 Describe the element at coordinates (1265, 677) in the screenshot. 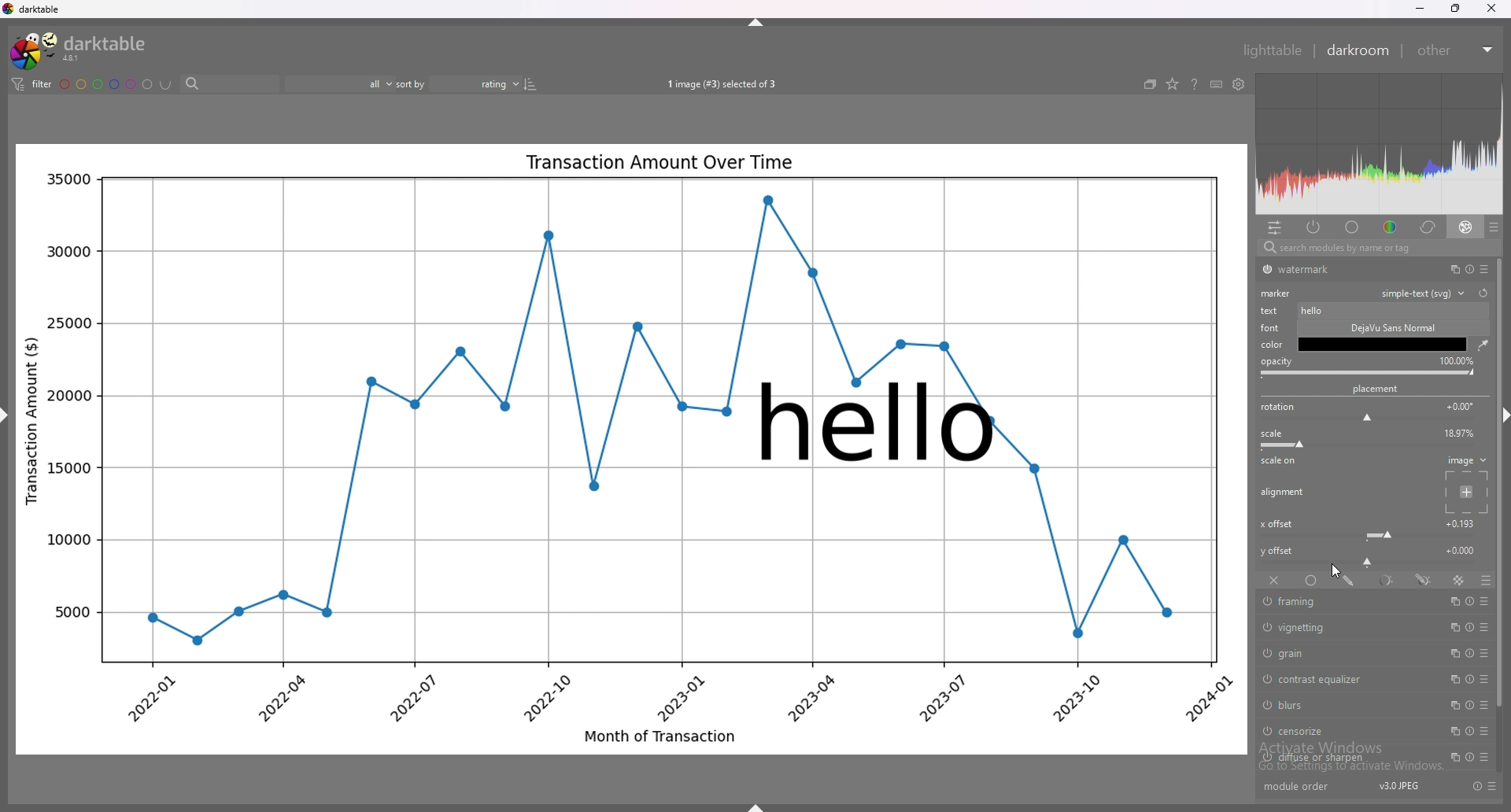

I see `switch off` at that location.